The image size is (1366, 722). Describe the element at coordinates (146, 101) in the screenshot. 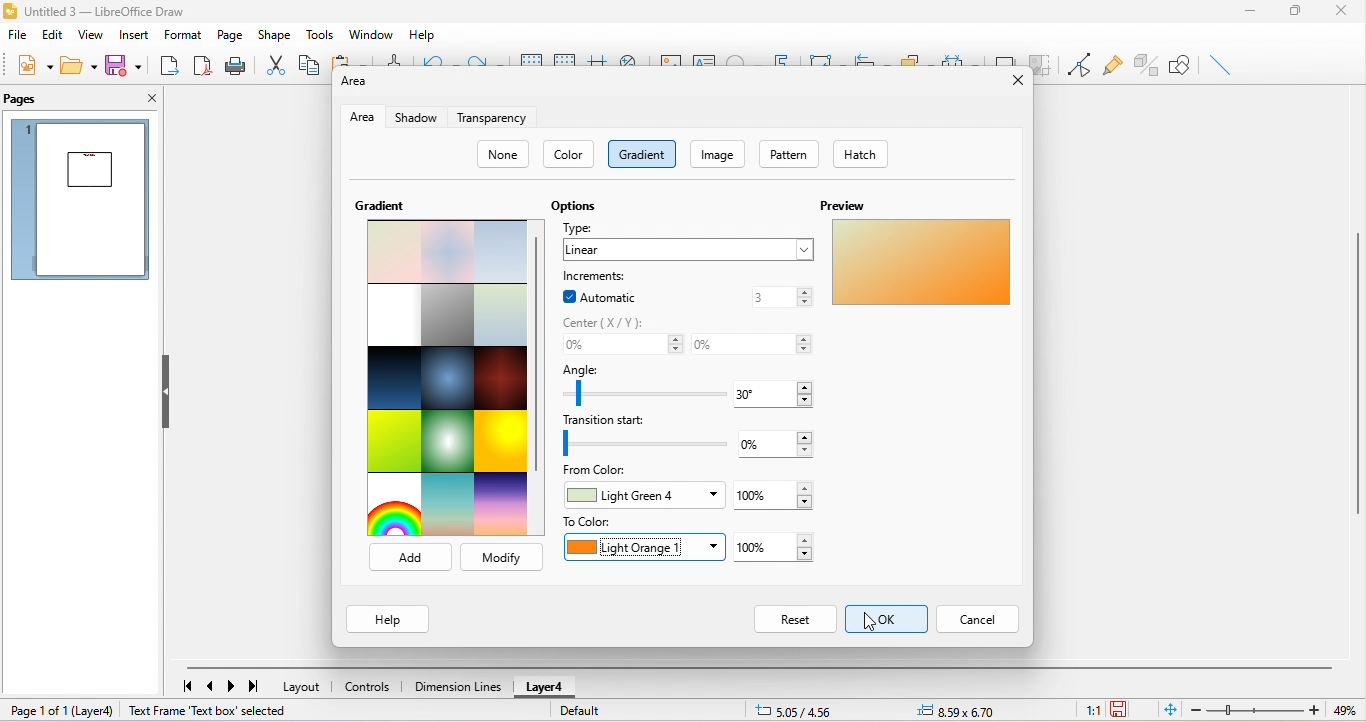

I see `close` at that location.